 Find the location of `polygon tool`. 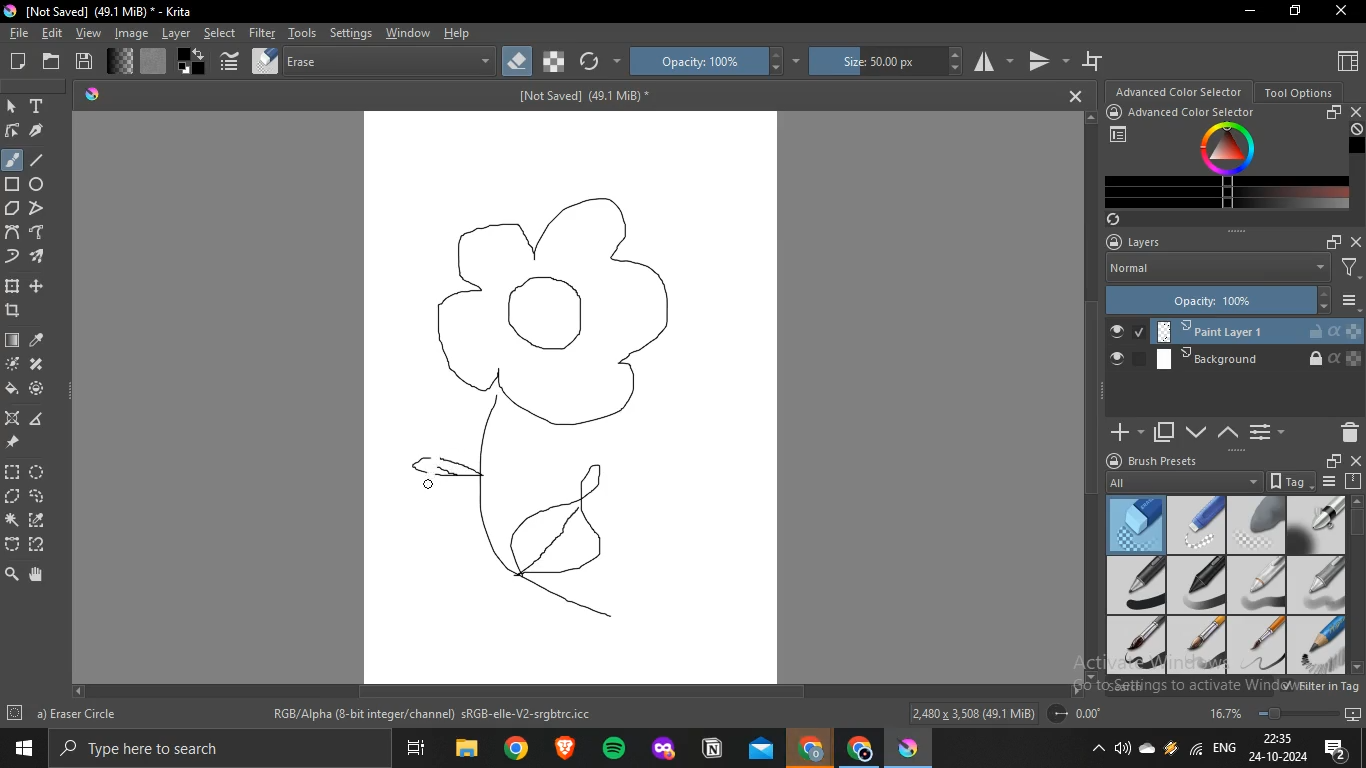

polygon tool is located at coordinates (14, 207).